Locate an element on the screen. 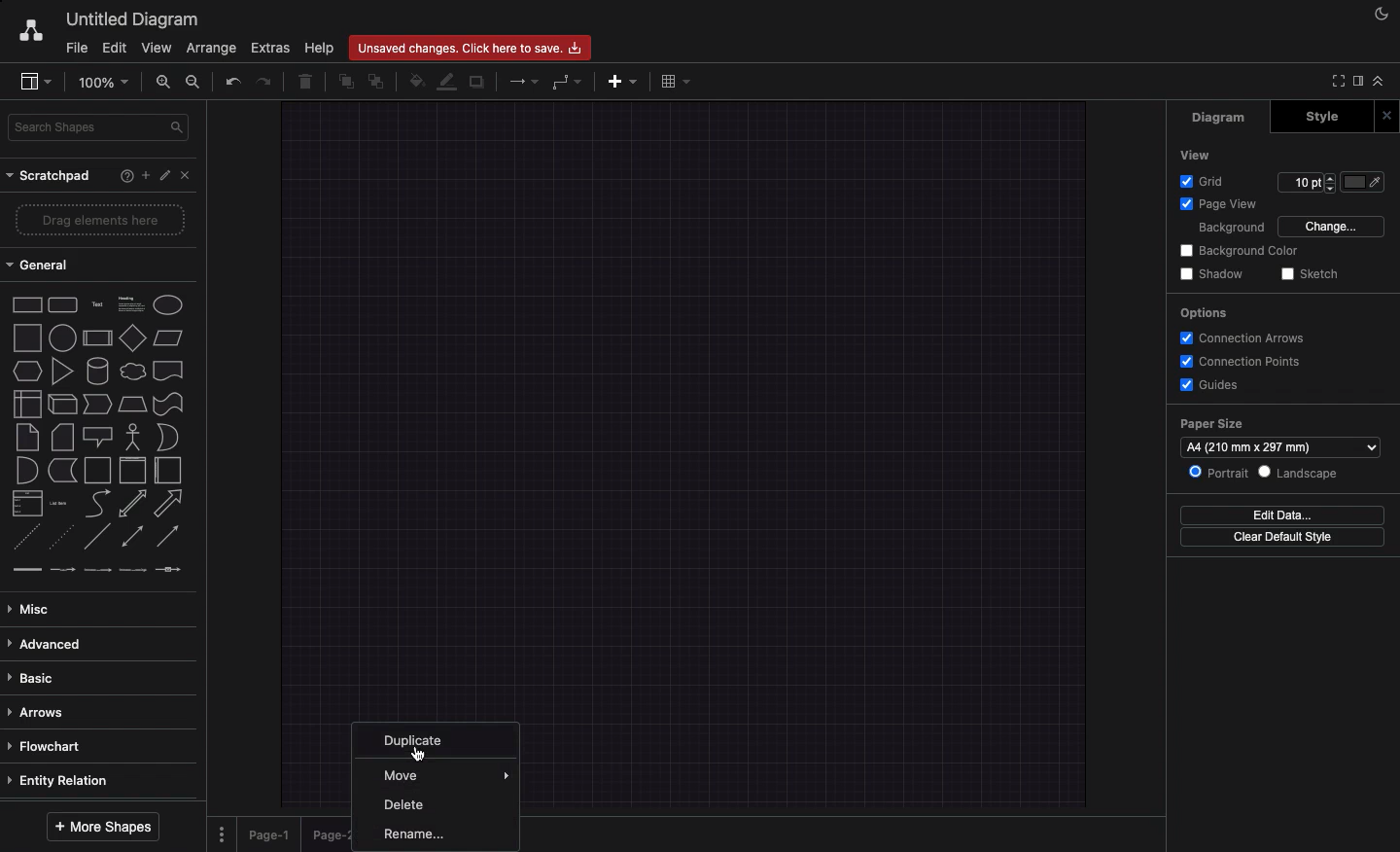 The height and width of the screenshot is (852, 1400). View is located at coordinates (157, 50).